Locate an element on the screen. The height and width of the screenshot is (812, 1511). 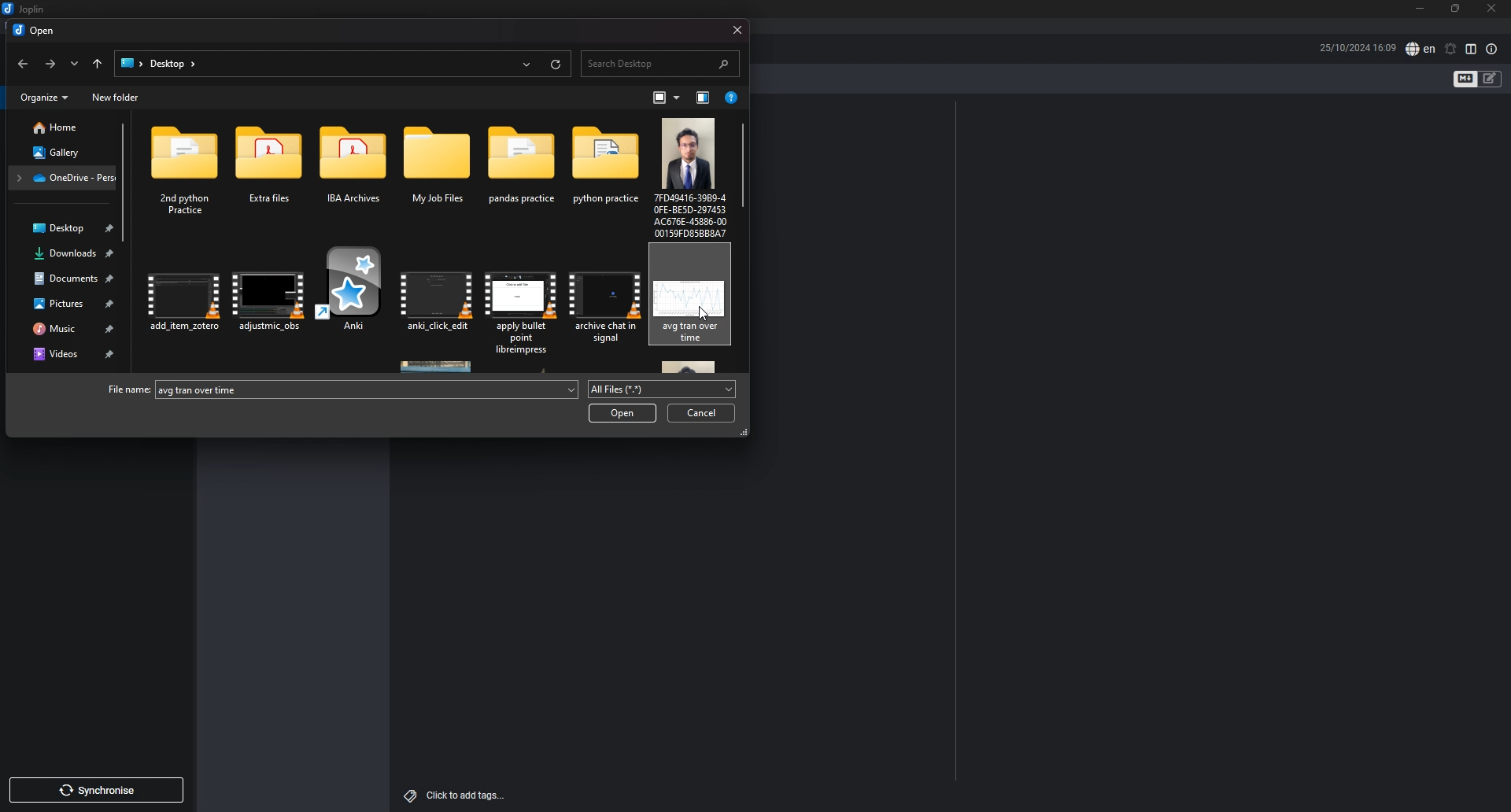
adjustment_abs is located at coordinates (269, 304).